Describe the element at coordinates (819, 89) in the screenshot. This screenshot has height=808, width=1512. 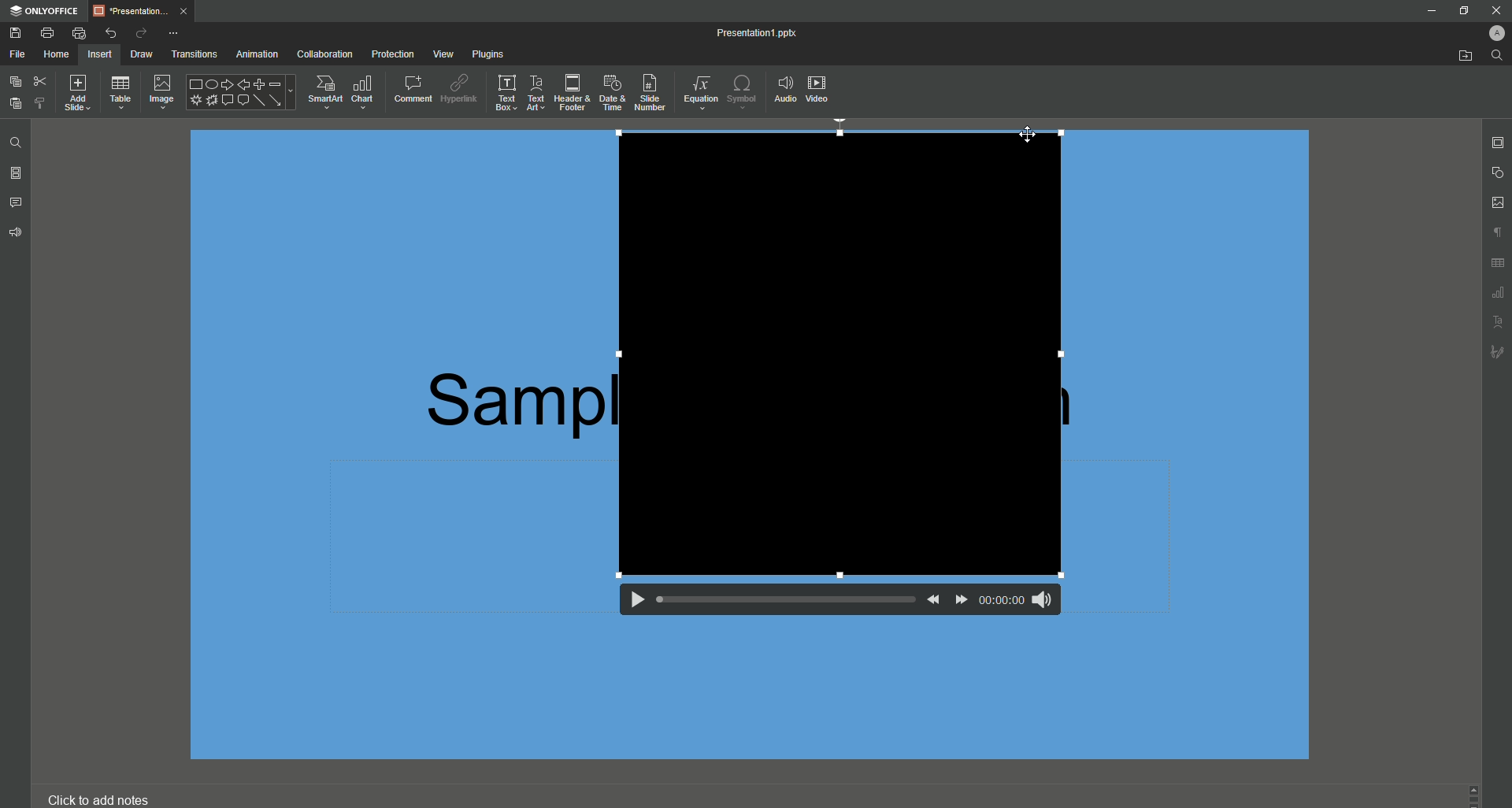
I see `Video` at that location.